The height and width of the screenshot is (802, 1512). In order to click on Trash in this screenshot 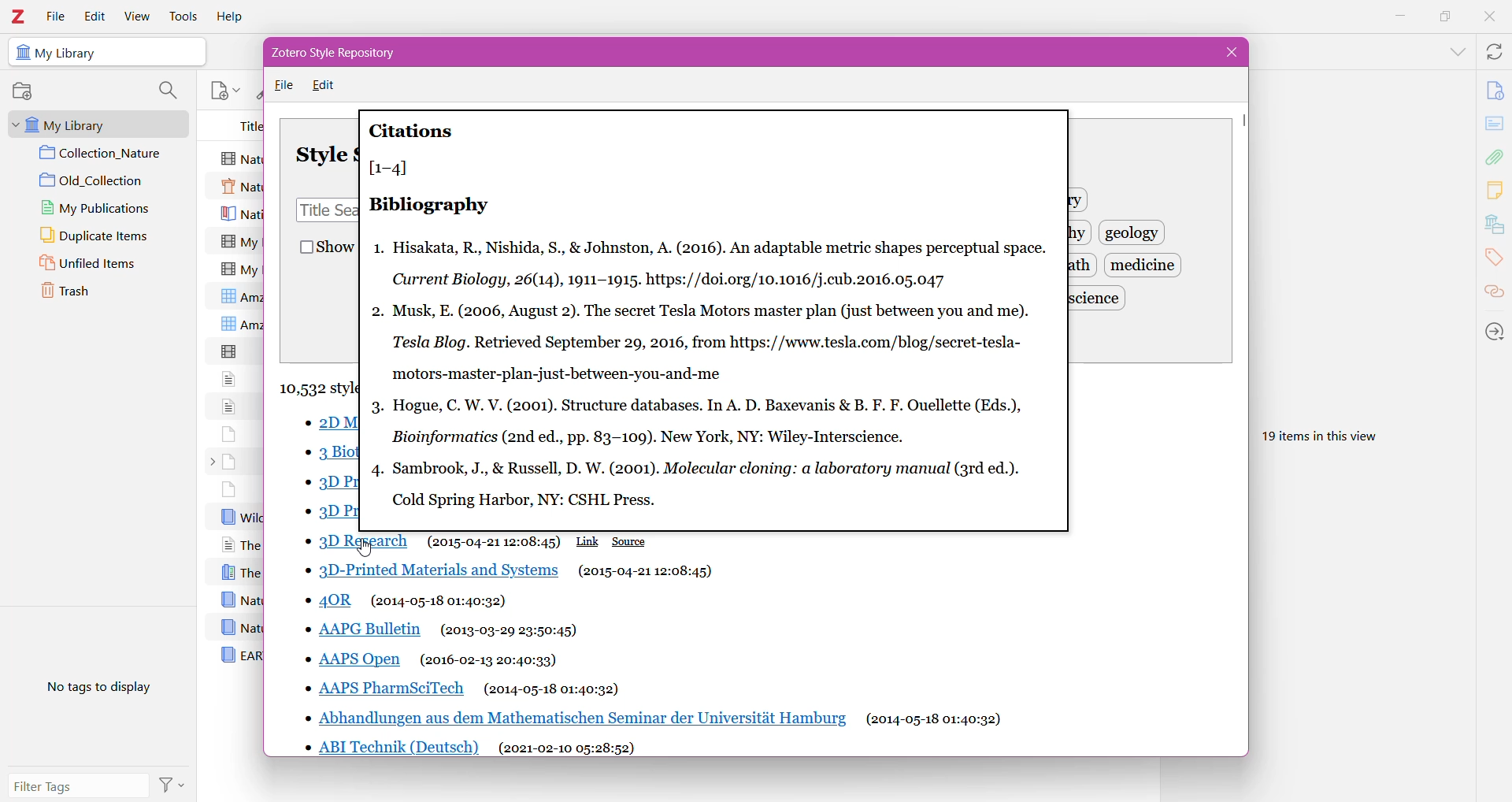, I will do `click(91, 294)`.